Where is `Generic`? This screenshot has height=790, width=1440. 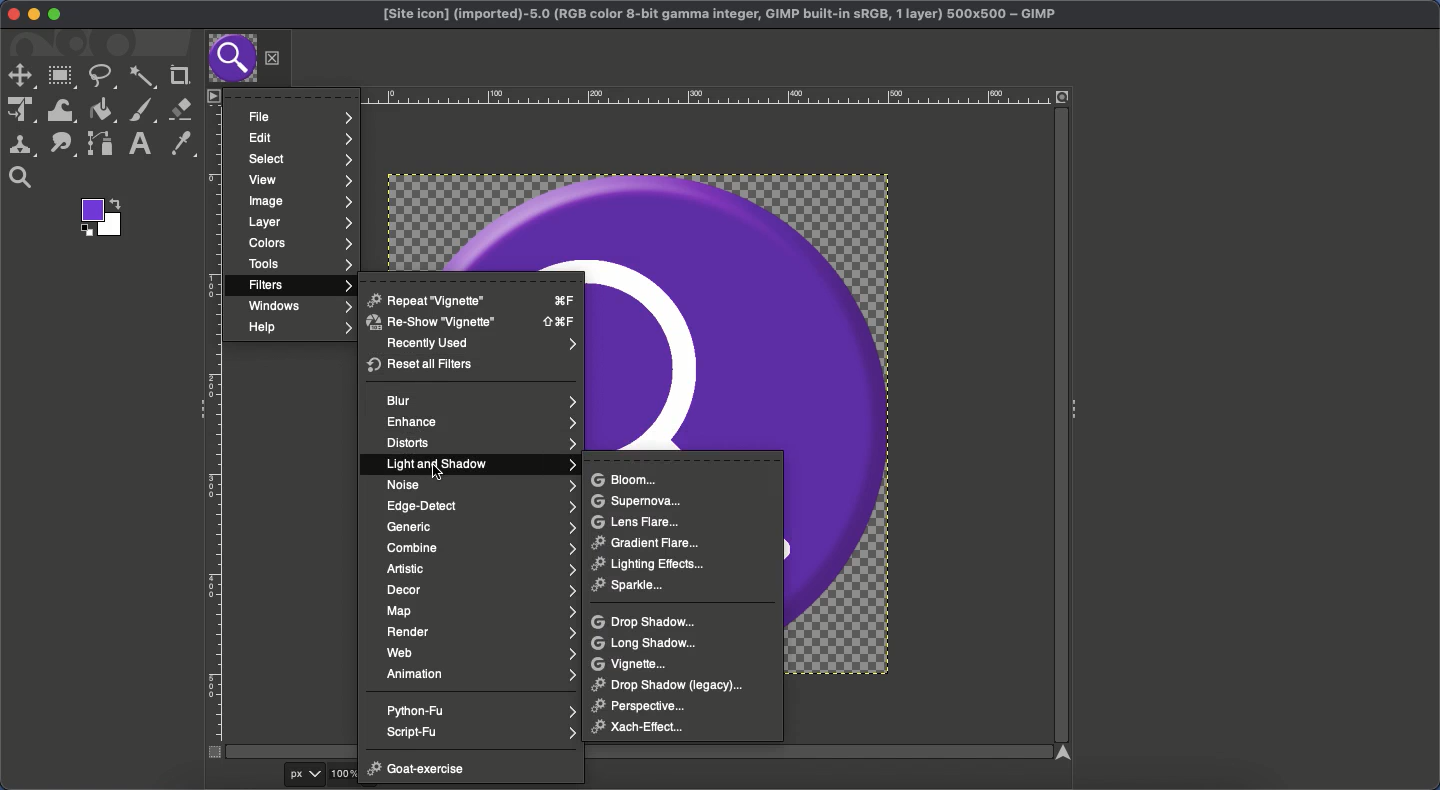 Generic is located at coordinates (480, 529).